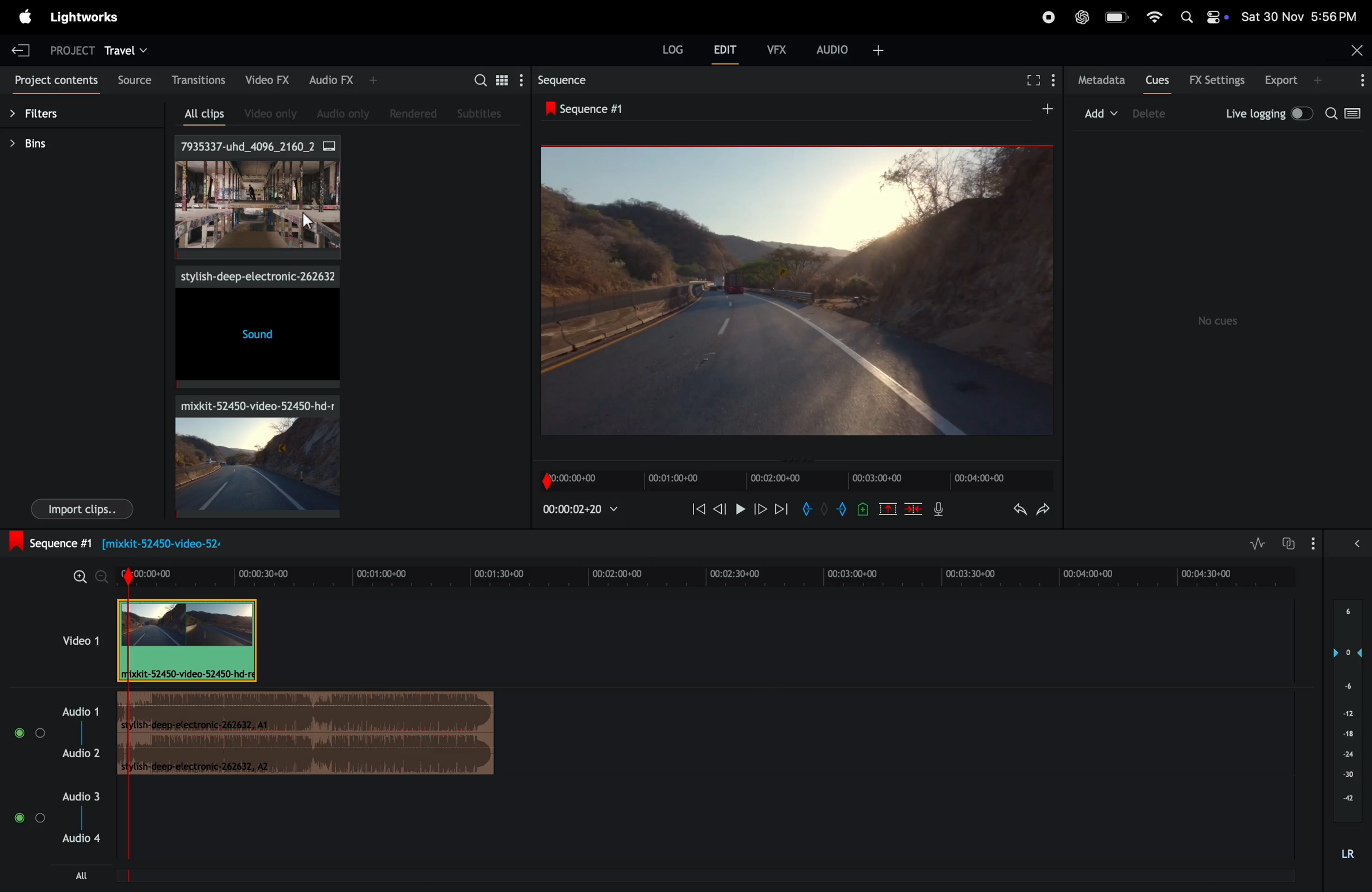 The width and height of the screenshot is (1372, 892). Describe the element at coordinates (937, 512) in the screenshot. I see `mic` at that location.